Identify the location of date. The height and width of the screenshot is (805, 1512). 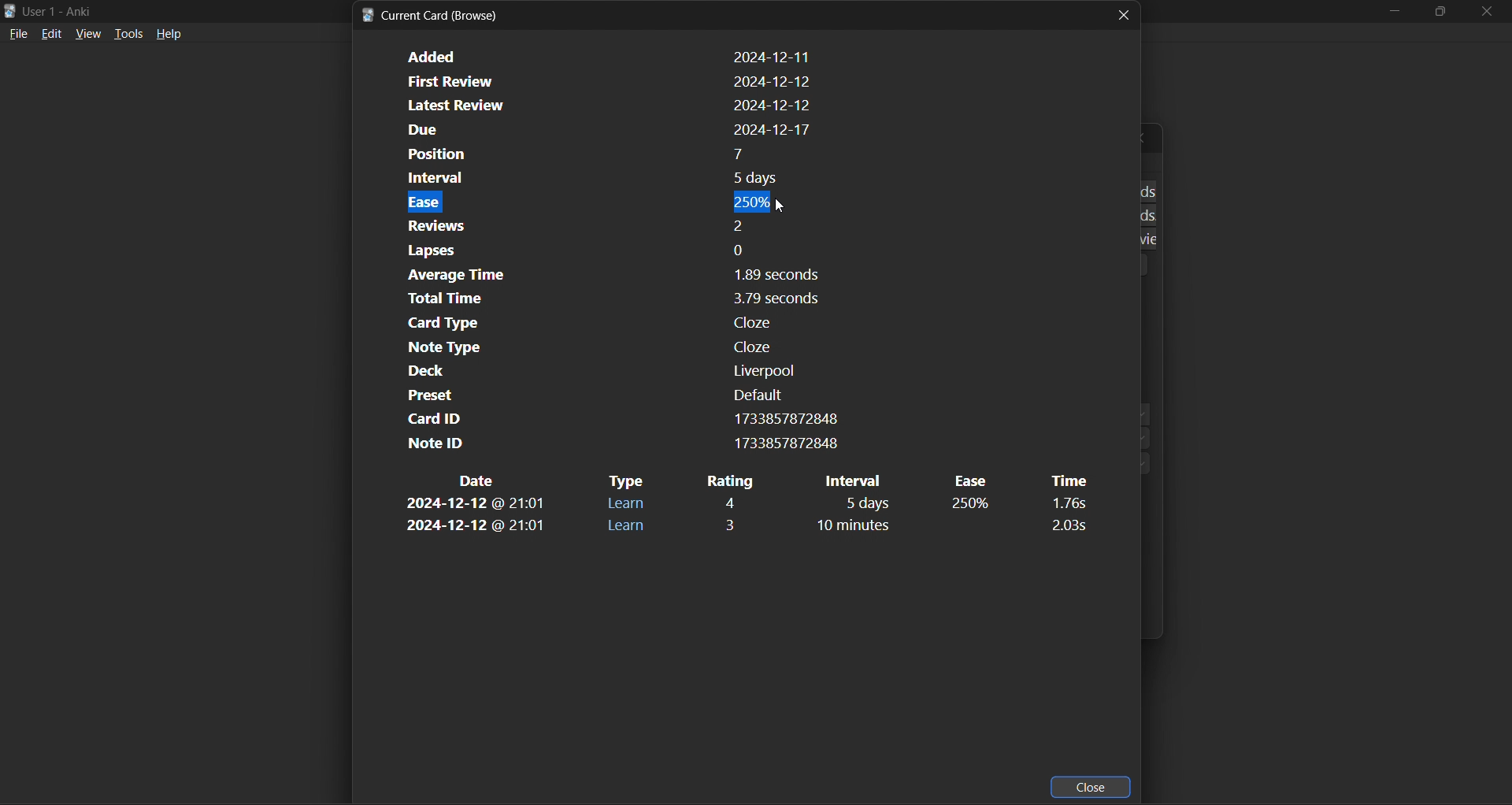
(479, 480).